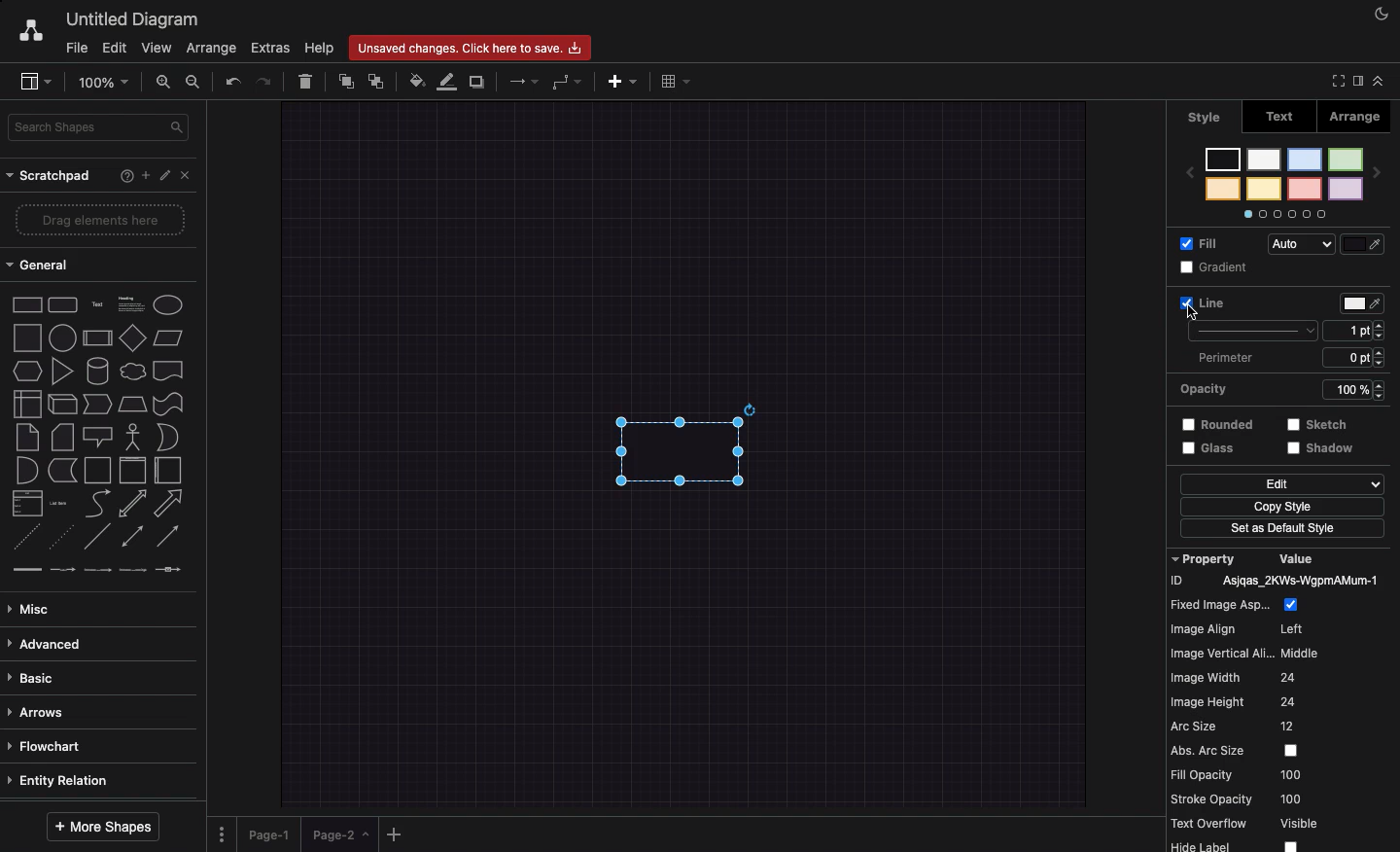 Image resolution: width=1400 pixels, height=852 pixels. I want to click on document, so click(168, 371).